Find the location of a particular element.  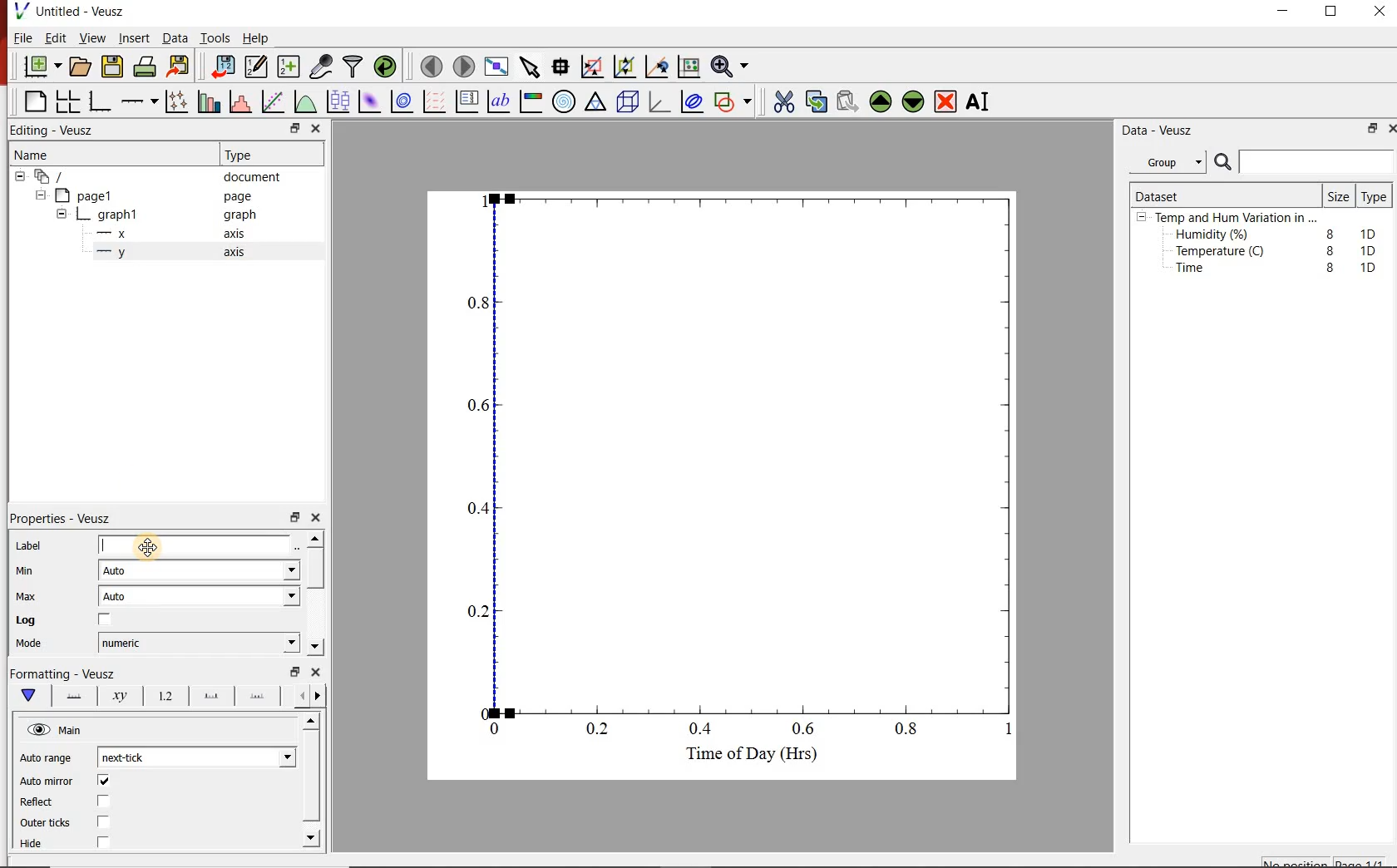

close is located at coordinates (1380, 12).